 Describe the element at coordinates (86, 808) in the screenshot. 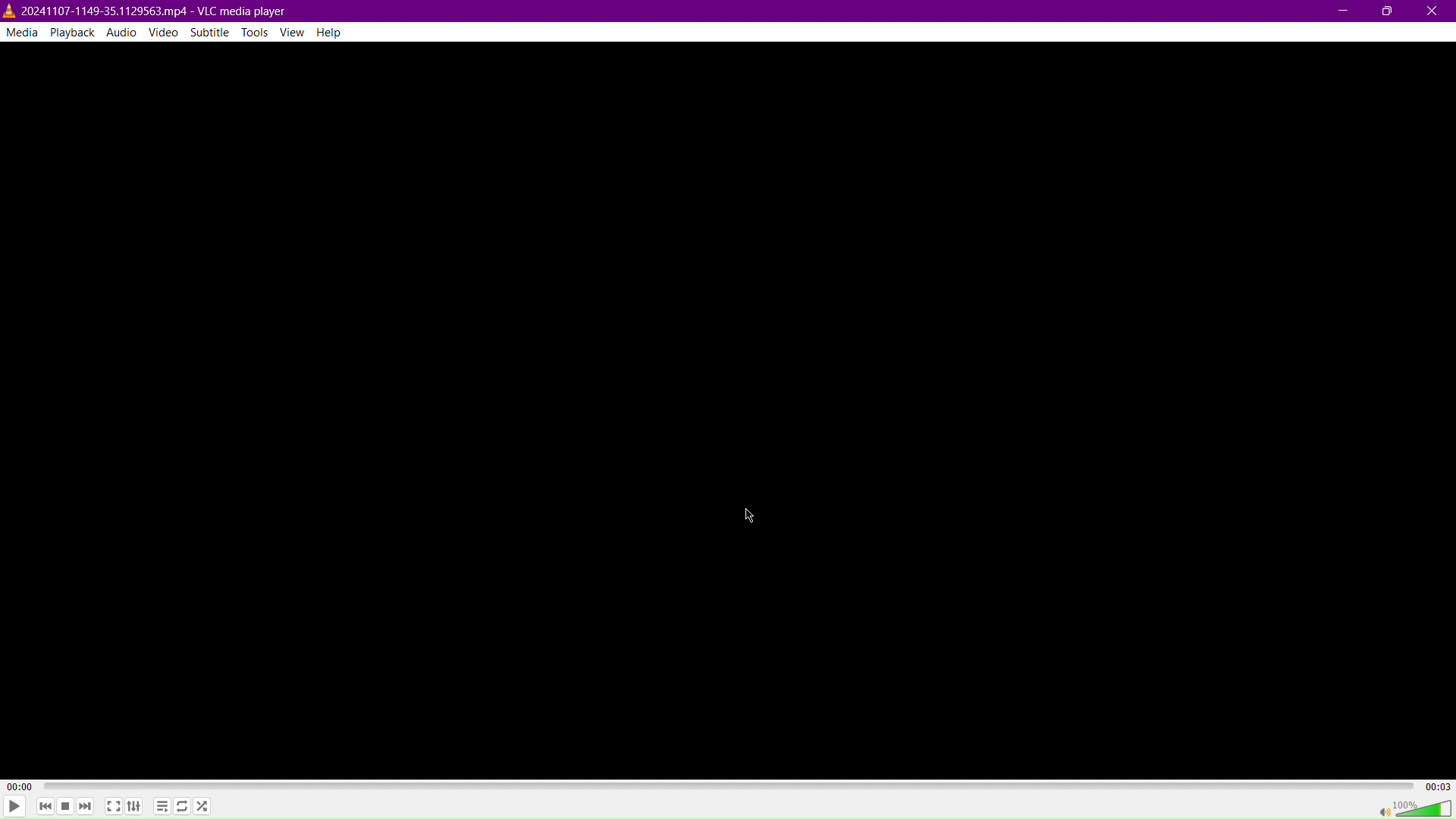

I see `Skip Forward` at that location.